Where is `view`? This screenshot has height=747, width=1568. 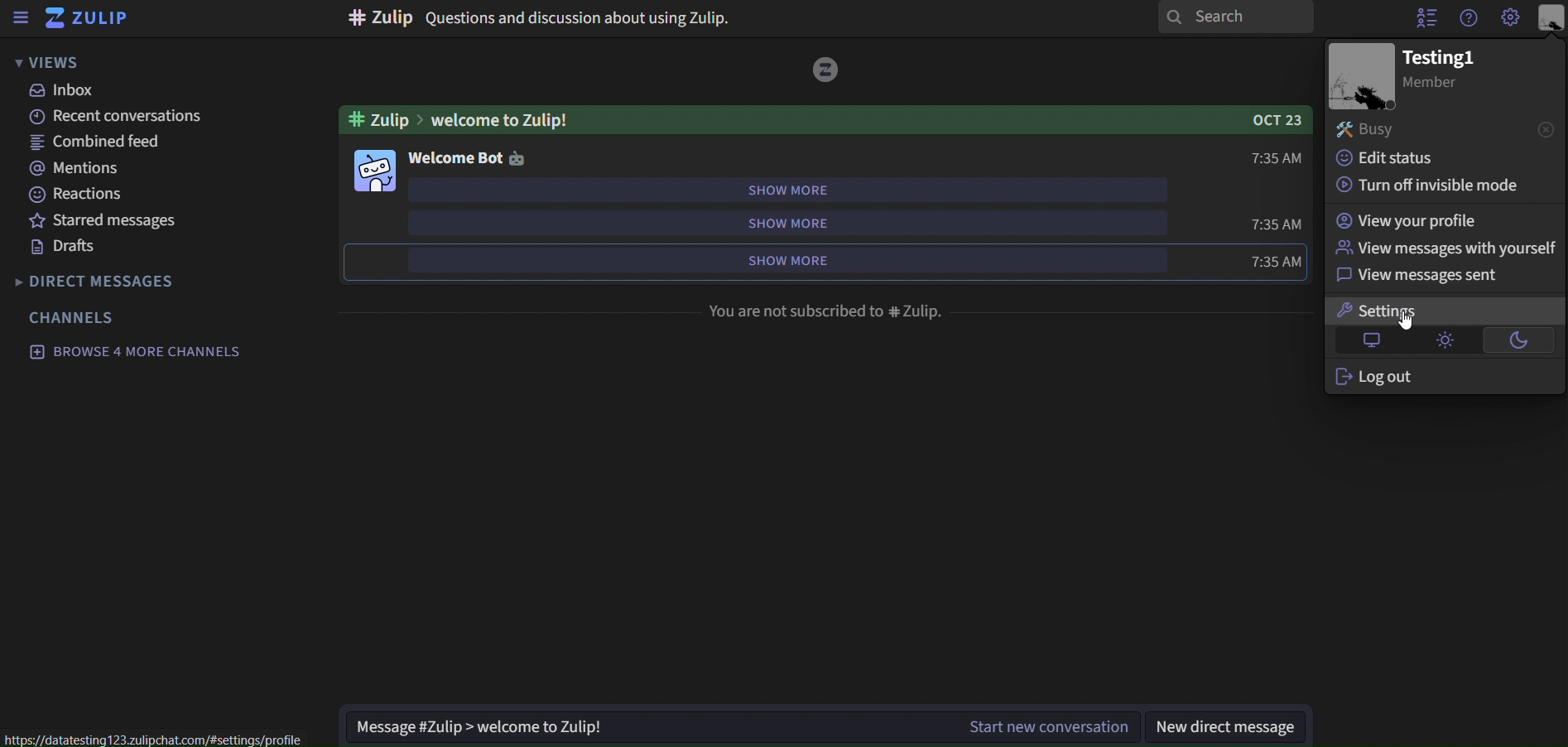
view is located at coordinates (50, 62).